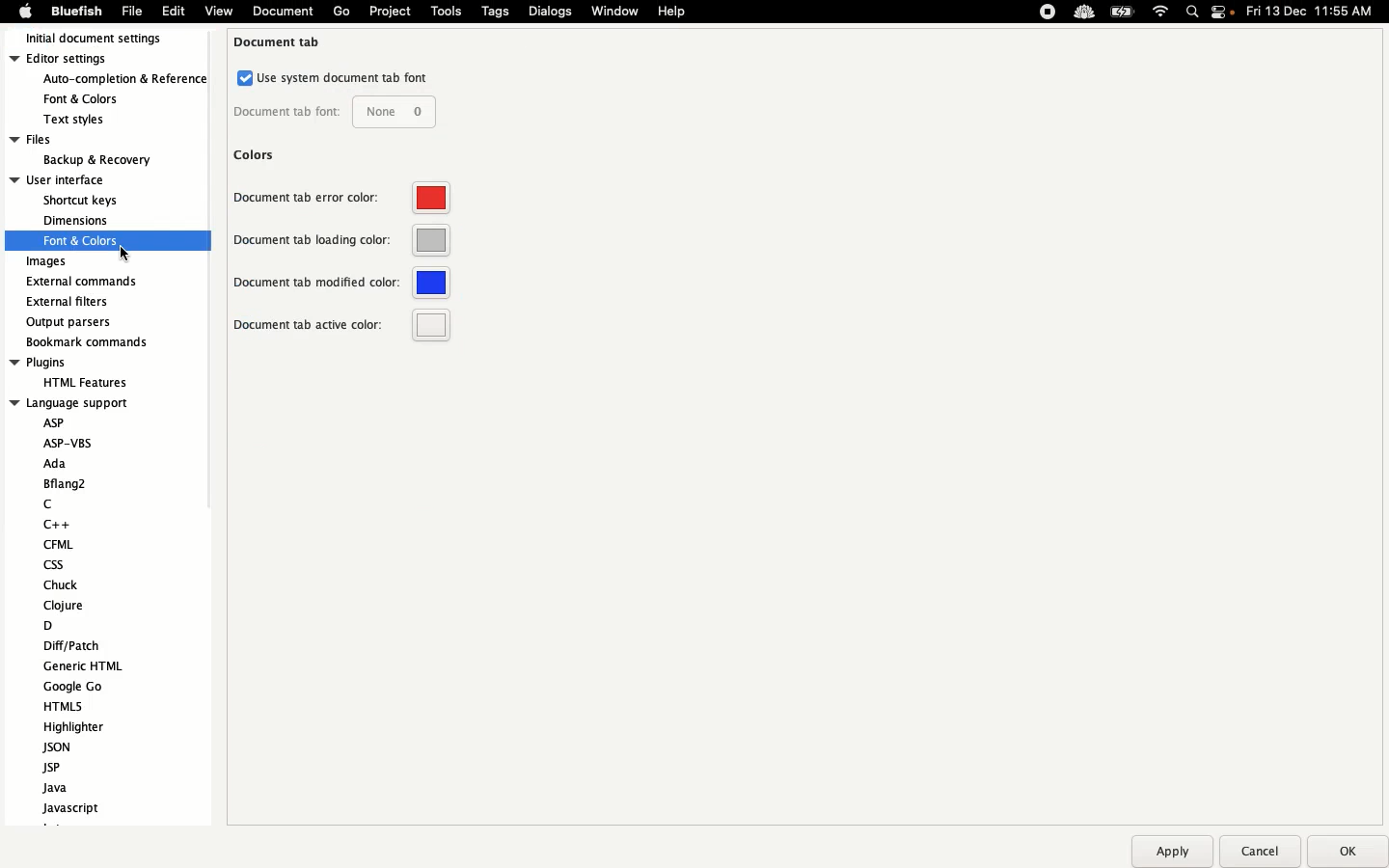 The image size is (1389, 868). I want to click on auto-completion & refrences, so click(126, 80).